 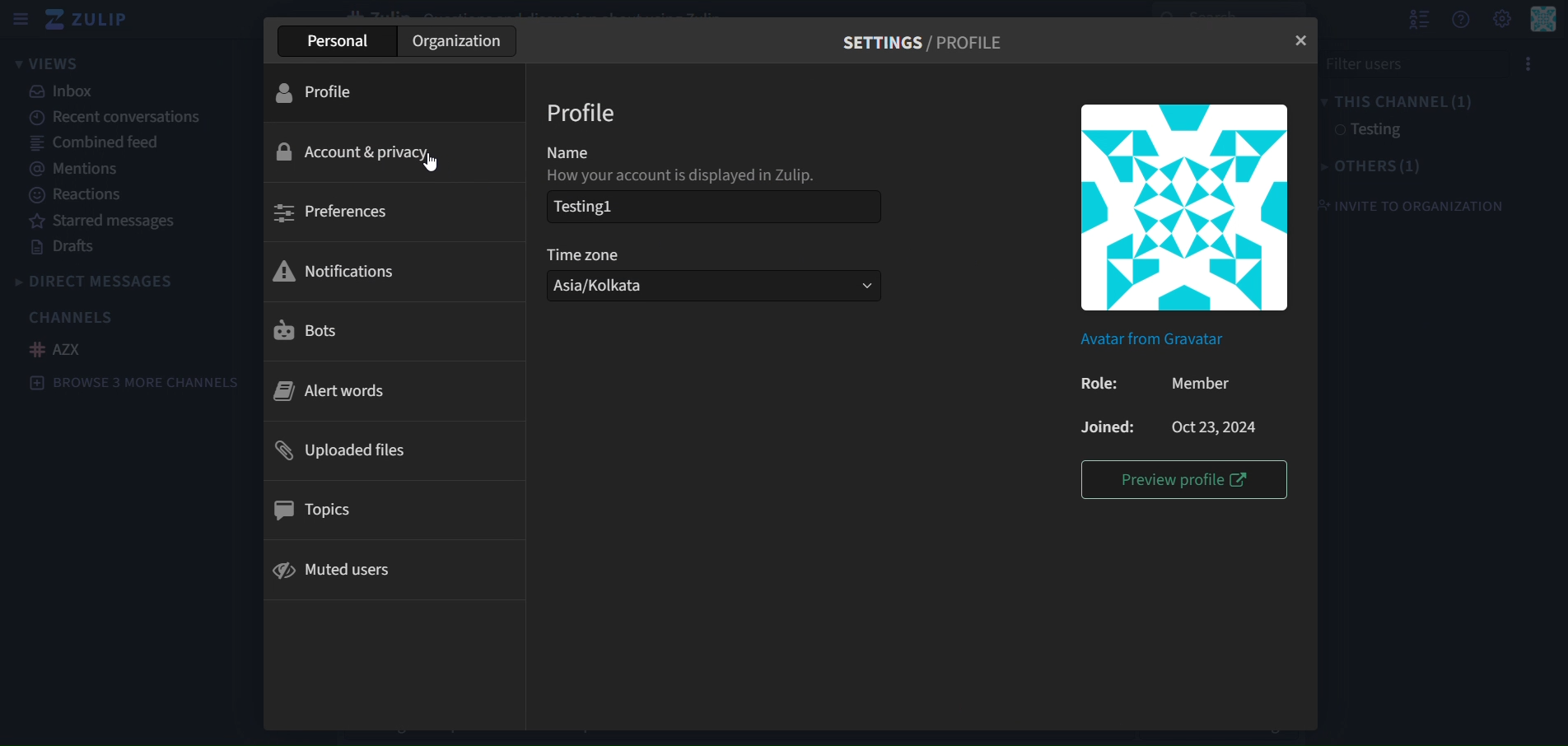 I want to click on Browse 3 more channels, so click(x=140, y=385).